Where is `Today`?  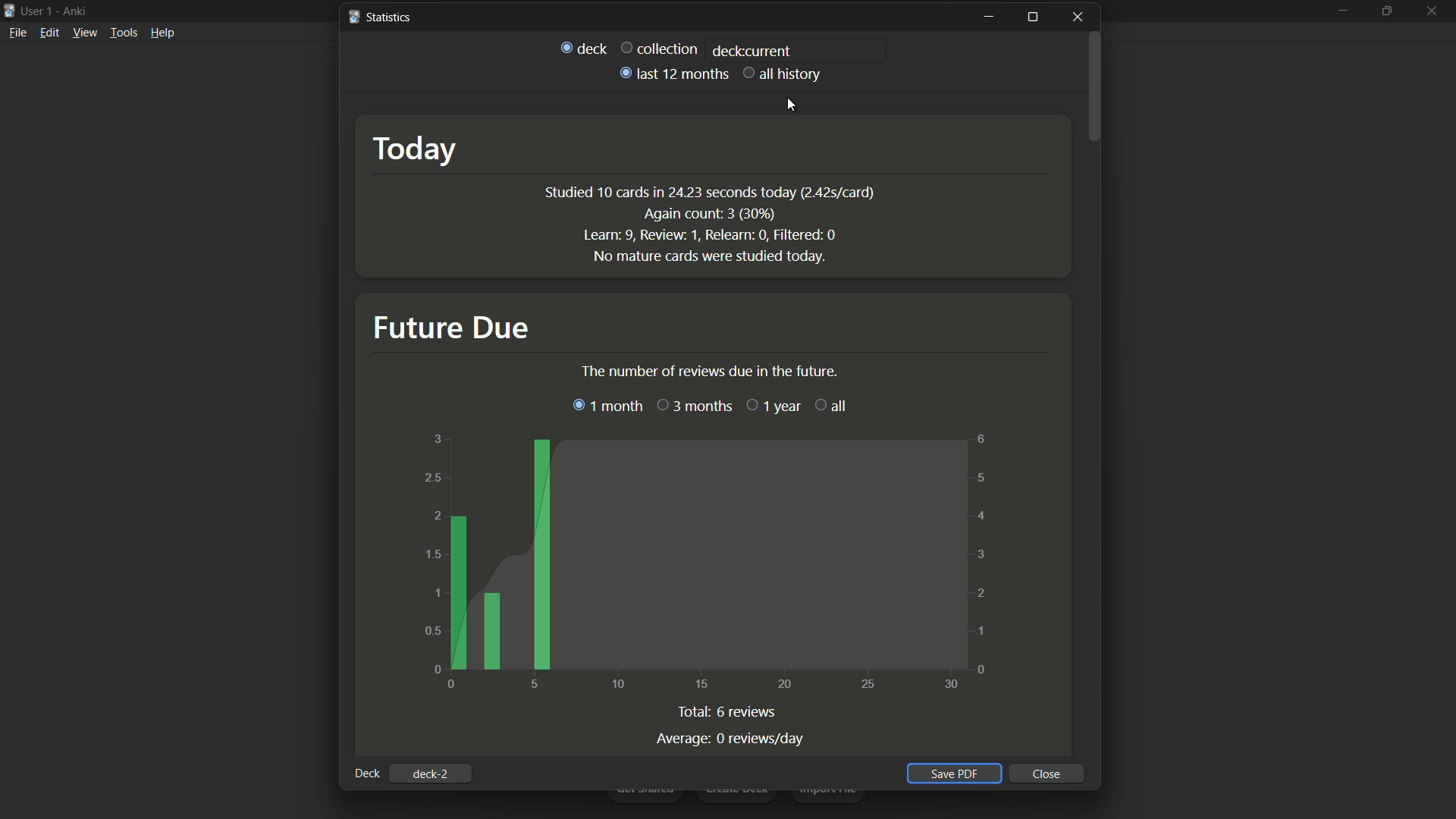 Today is located at coordinates (413, 145).